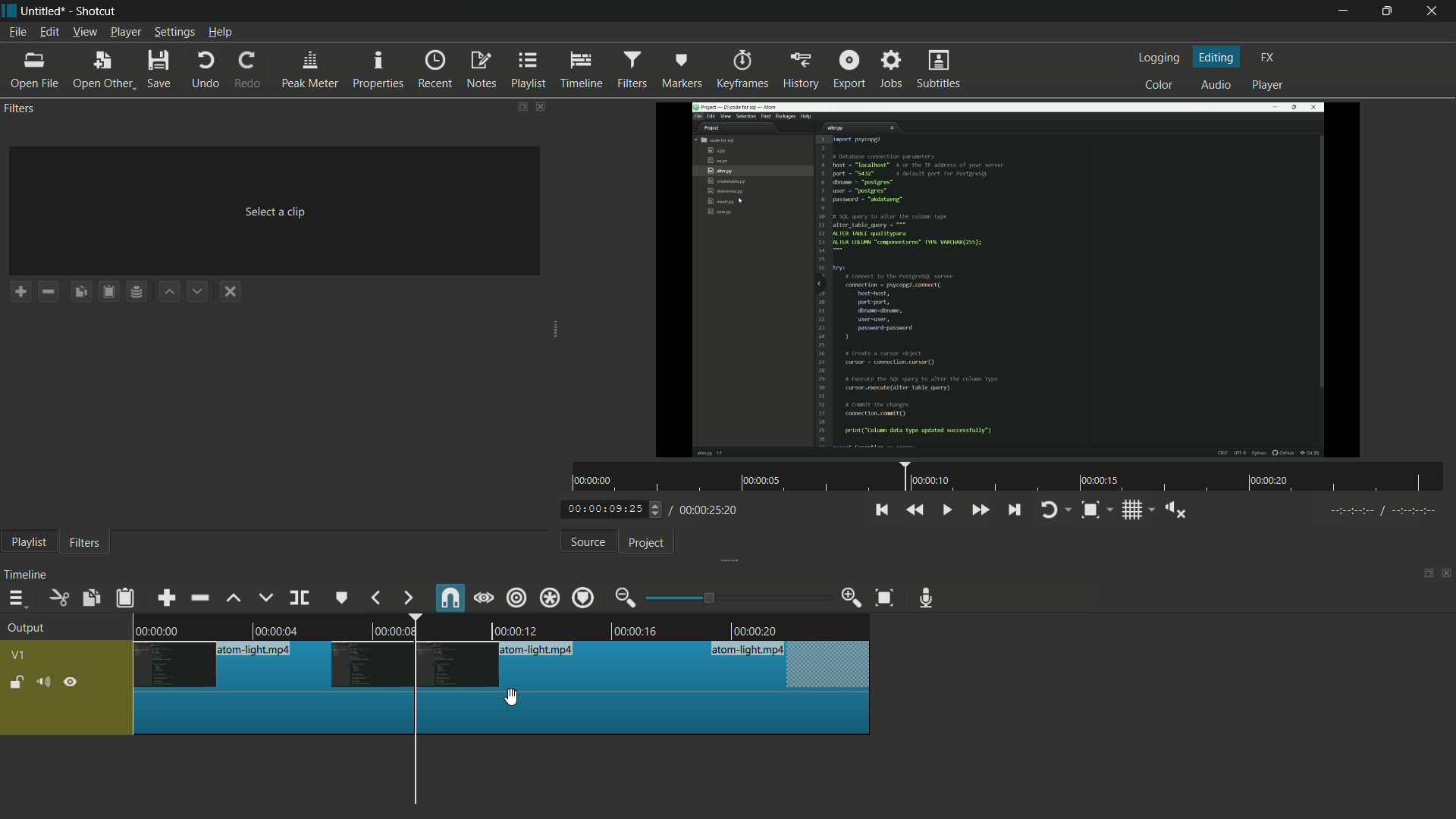 Image resolution: width=1456 pixels, height=819 pixels. Describe the element at coordinates (448, 597) in the screenshot. I see `snap` at that location.